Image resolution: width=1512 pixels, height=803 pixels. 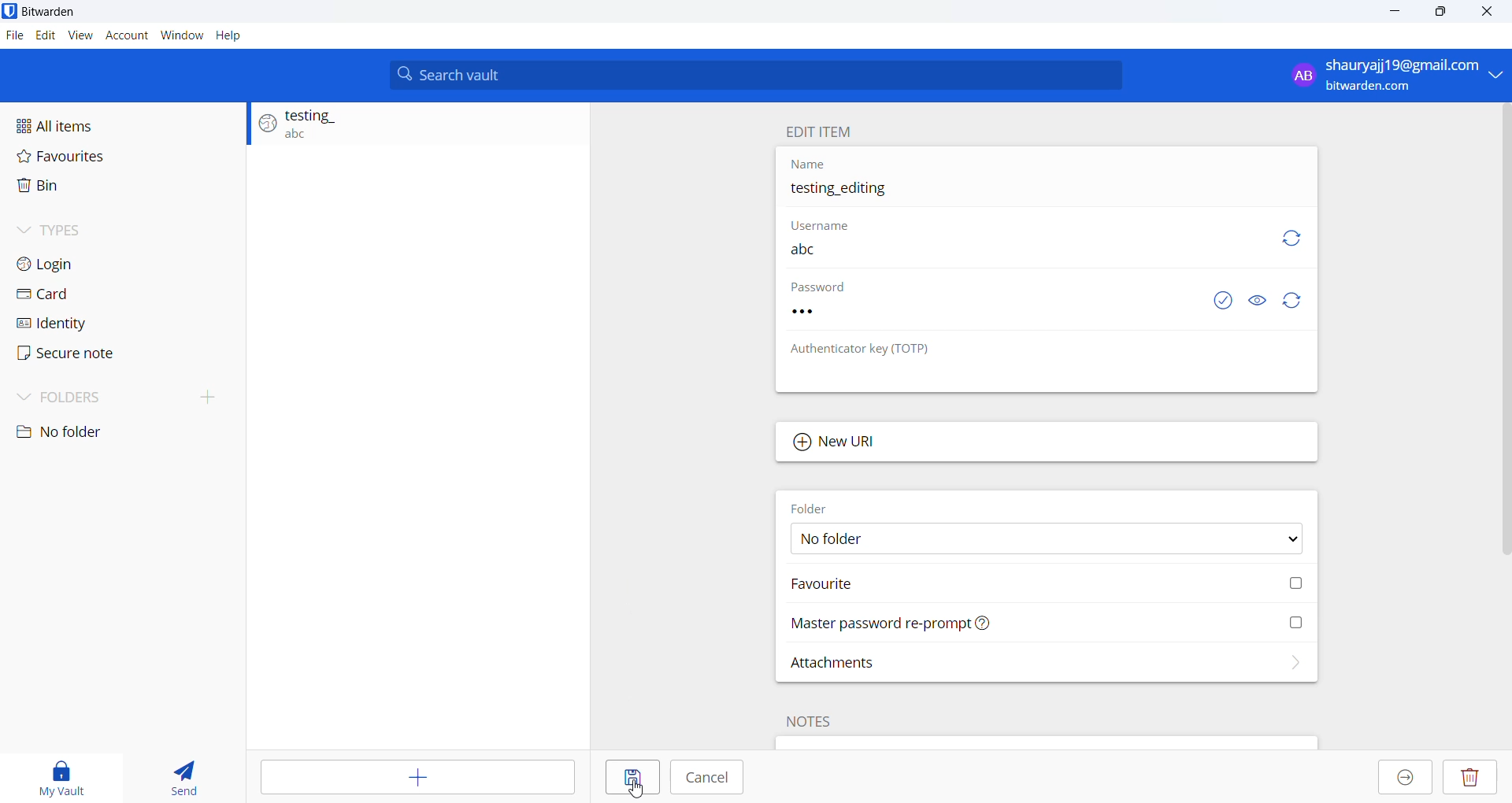 I want to click on Refresh, so click(x=1294, y=303).